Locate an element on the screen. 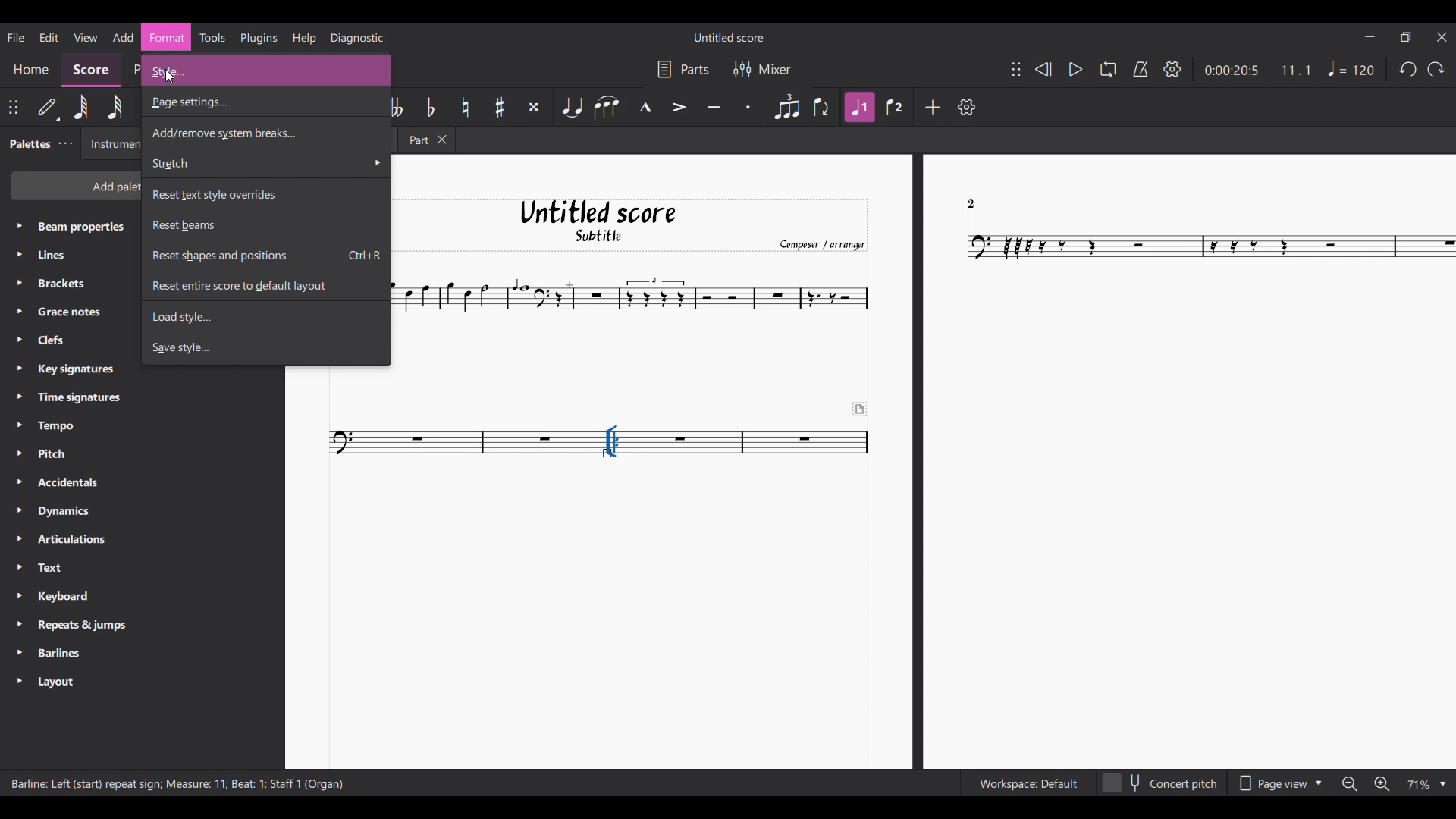 The image size is (1456, 819). Add/remove system breaks is located at coordinates (265, 131).